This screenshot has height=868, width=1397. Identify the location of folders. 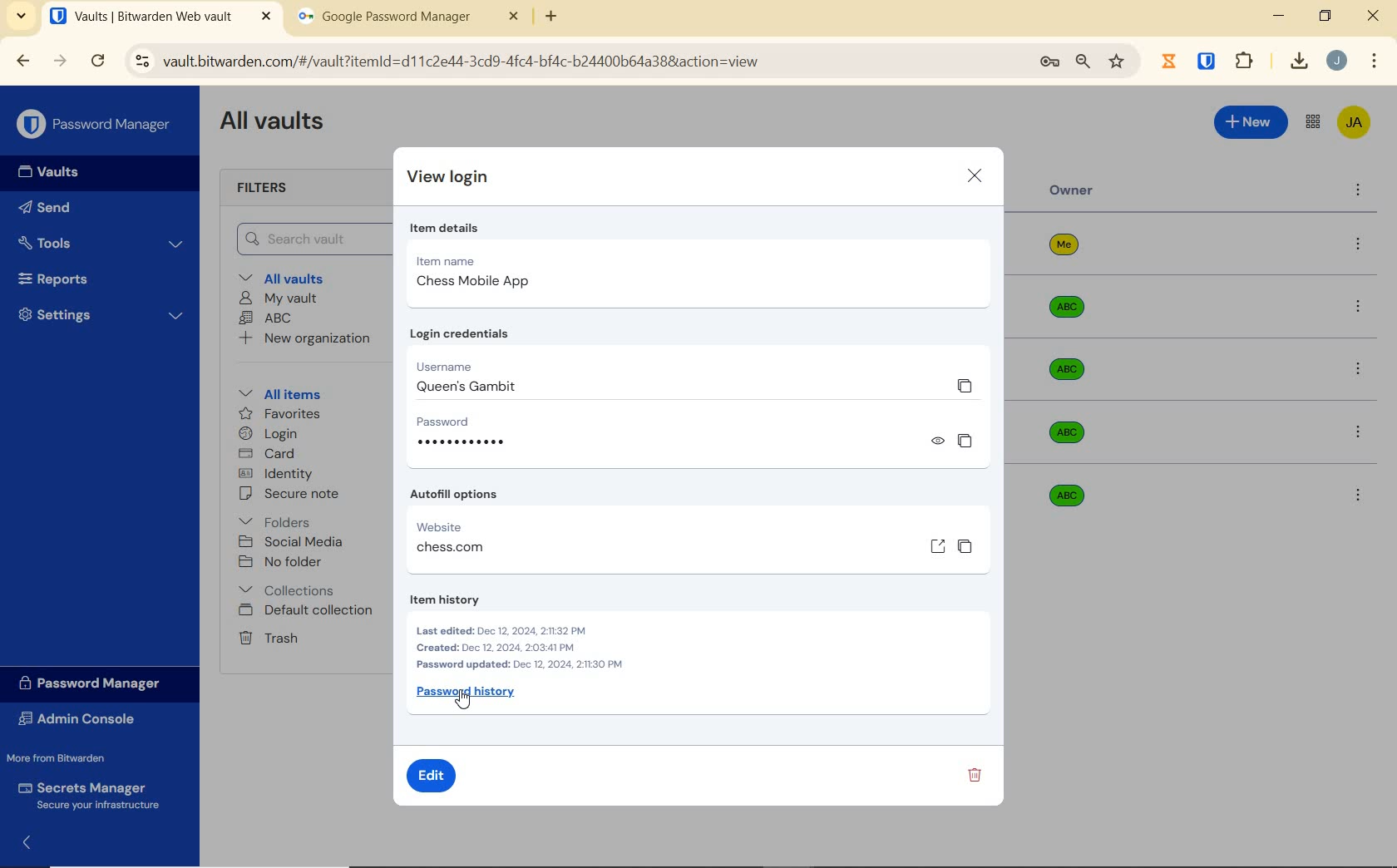
(288, 521).